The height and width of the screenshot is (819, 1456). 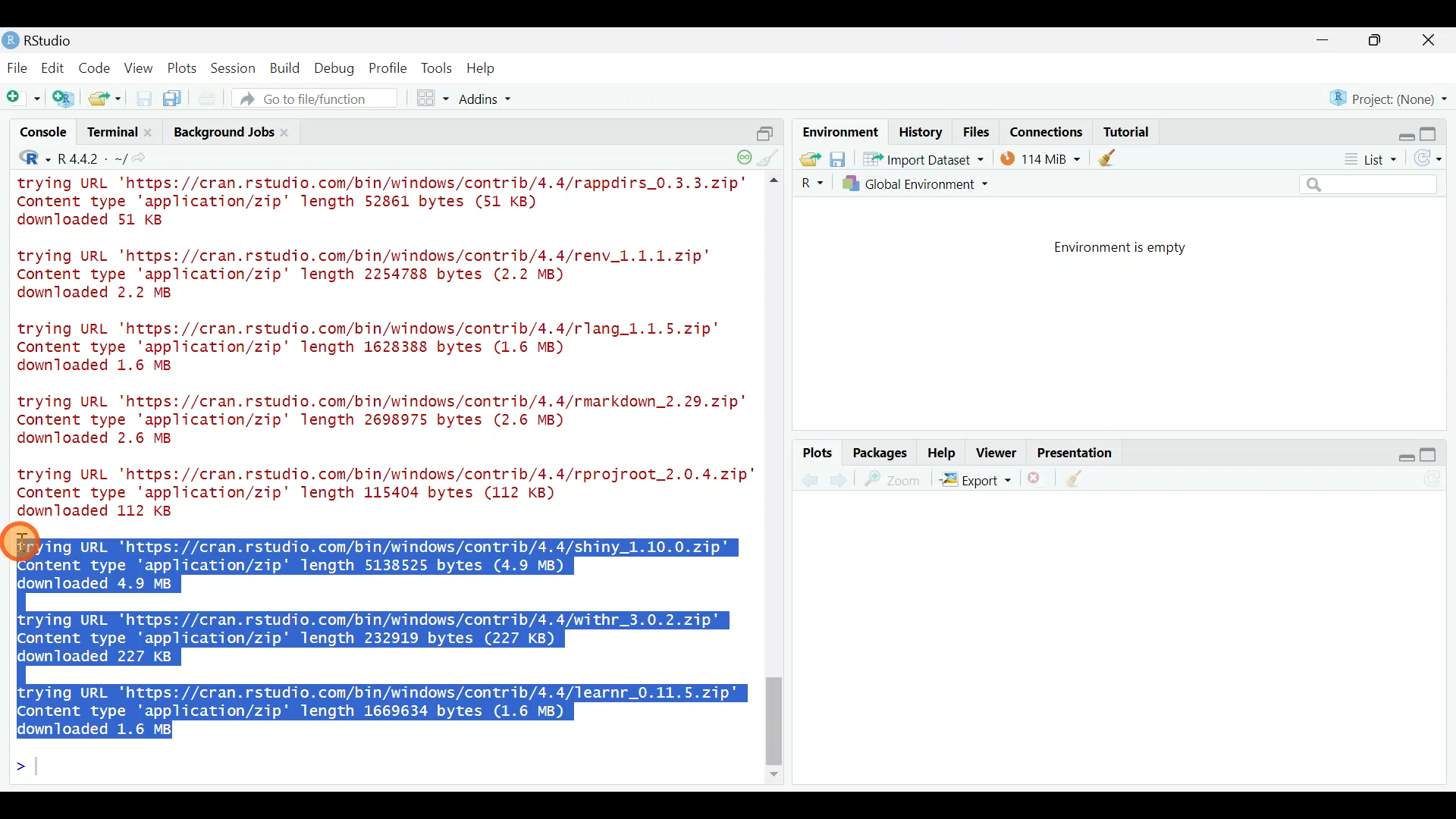 I want to click on History, so click(x=921, y=131).